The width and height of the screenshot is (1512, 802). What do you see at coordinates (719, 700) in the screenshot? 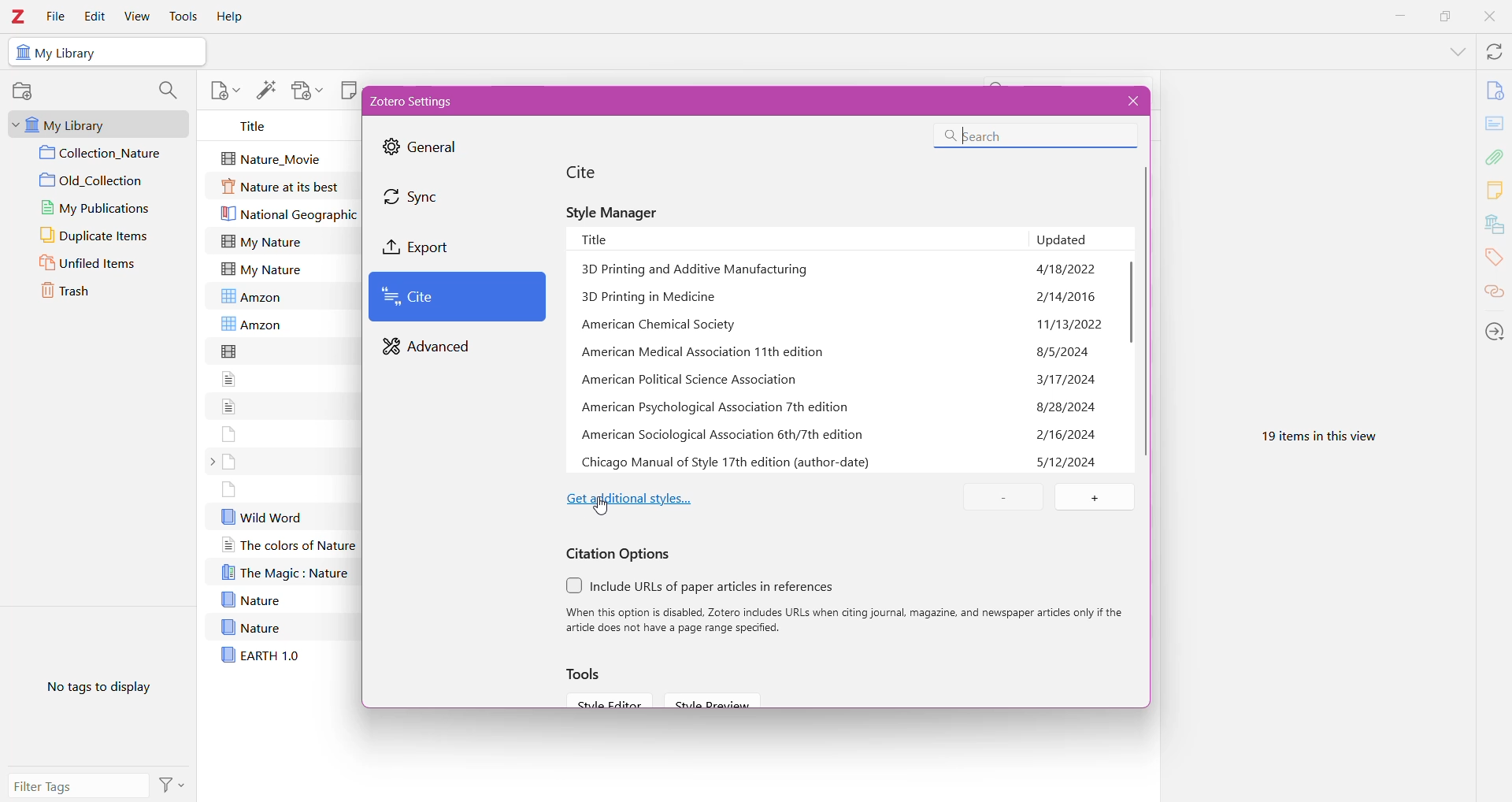
I see `Style Preview` at bounding box center [719, 700].